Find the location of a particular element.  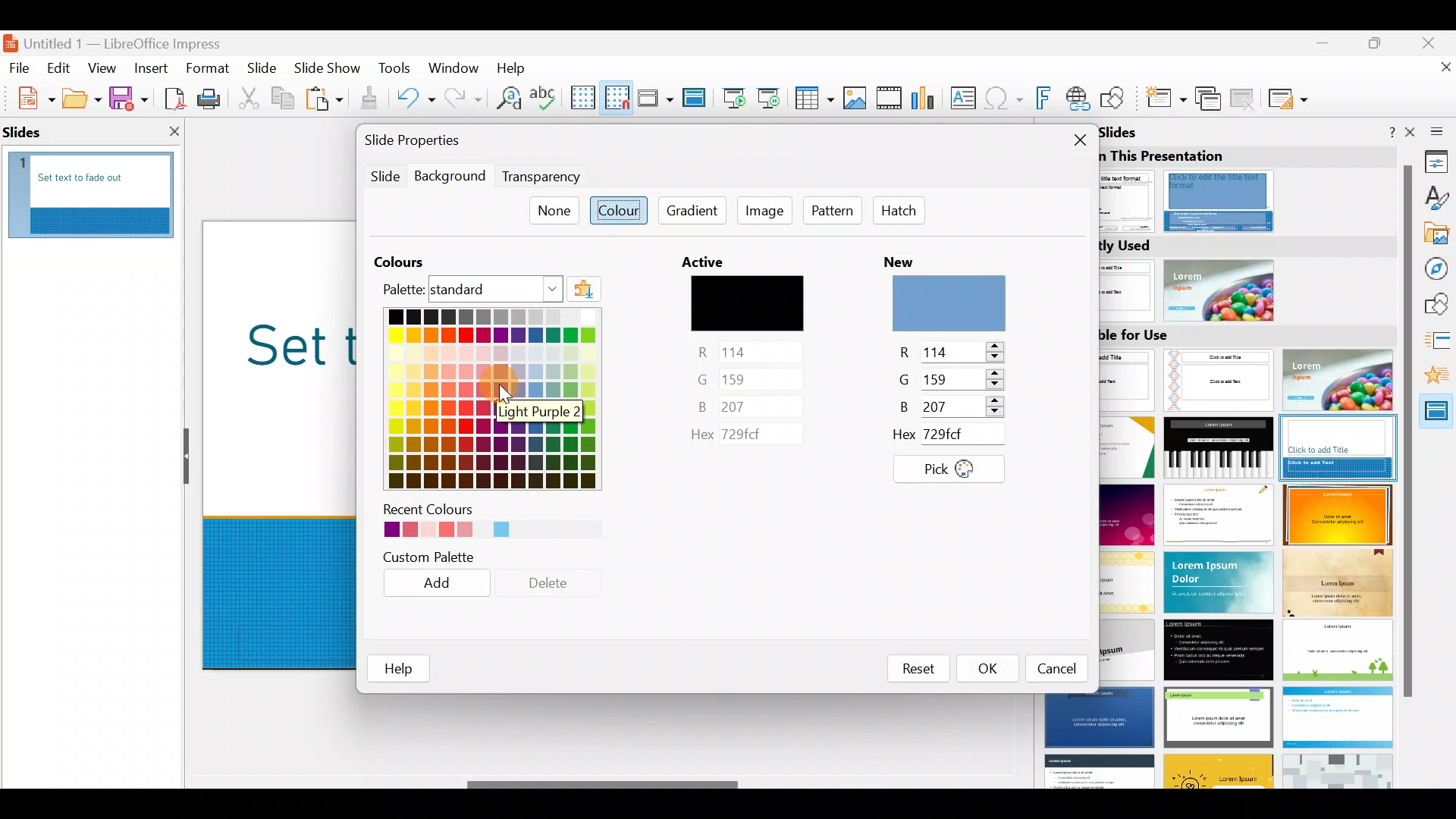

Properties is located at coordinates (1437, 161).